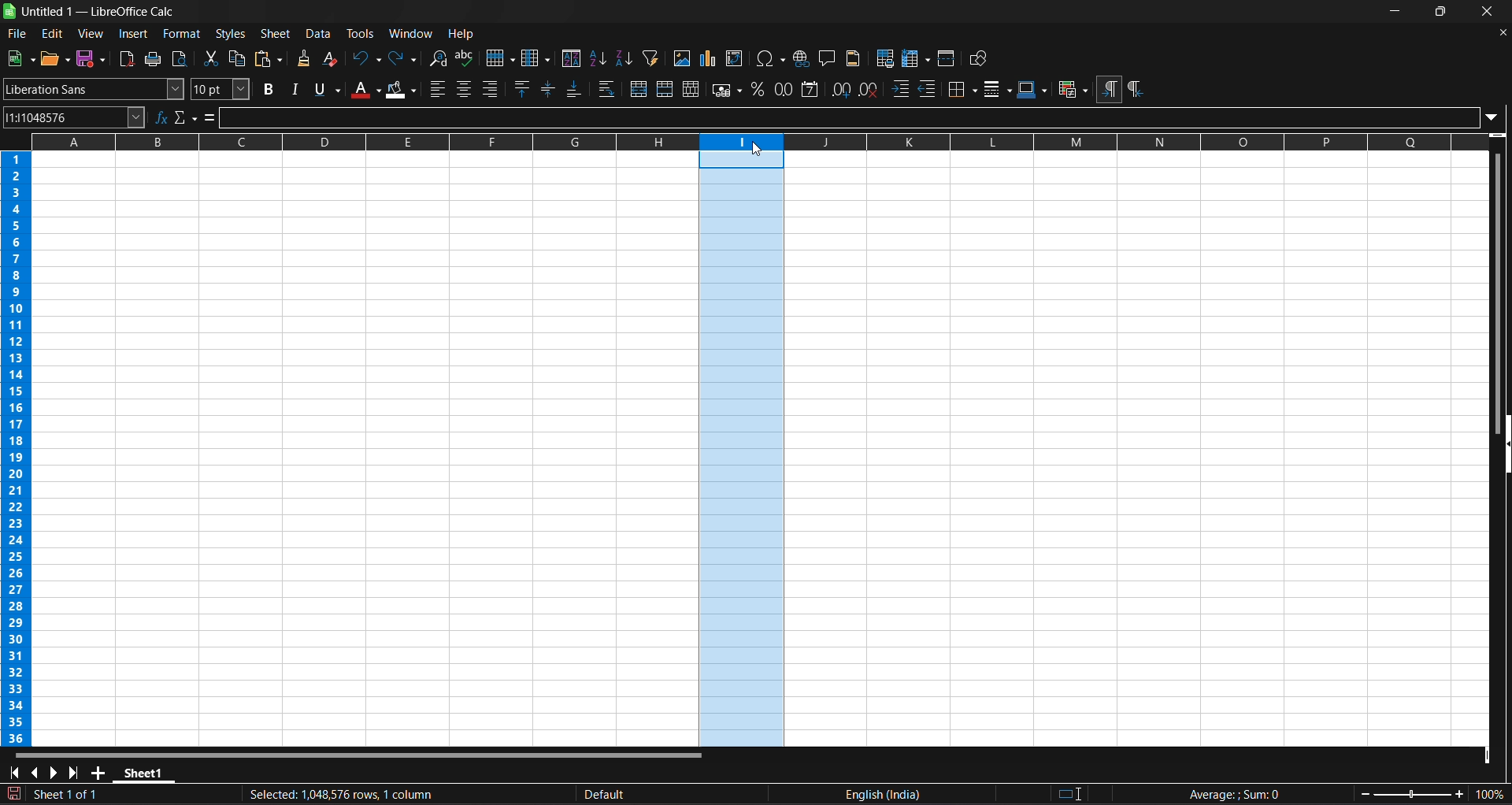 The height and width of the screenshot is (805, 1512). Describe the element at coordinates (868, 91) in the screenshot. I see `remove decimal place` at that location.